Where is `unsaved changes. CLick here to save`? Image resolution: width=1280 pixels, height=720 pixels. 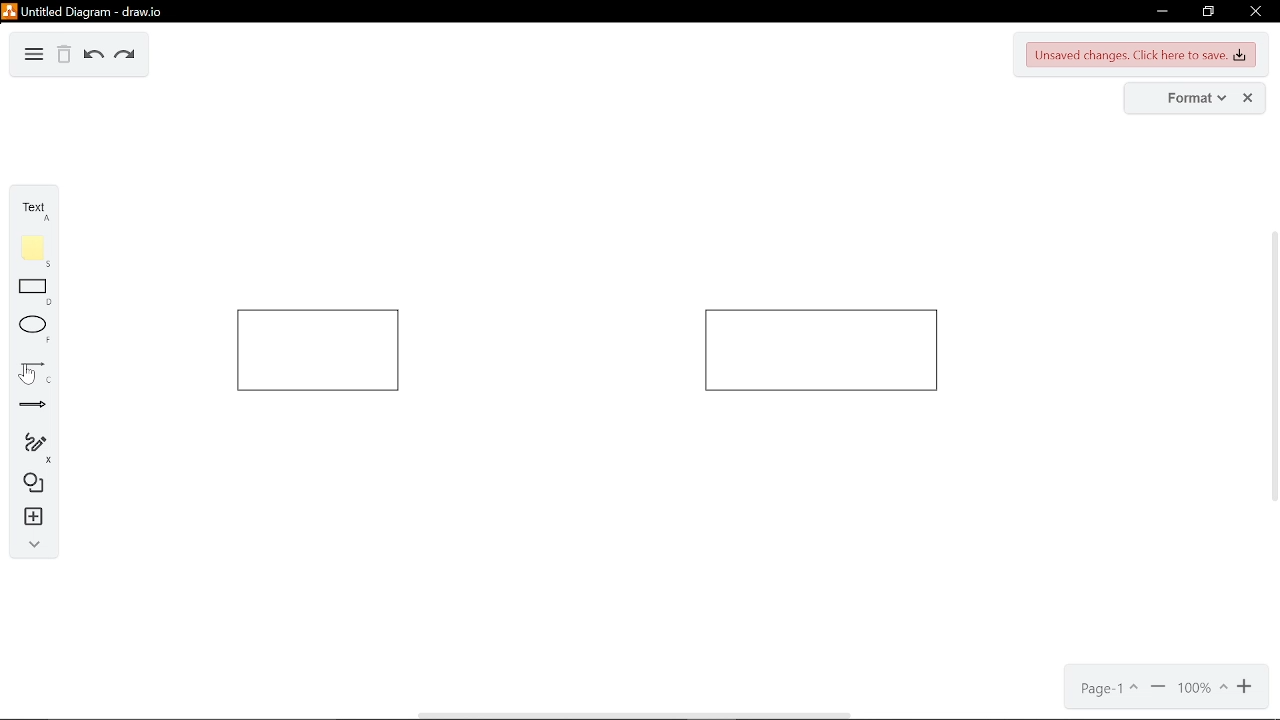
unsaved changes. CLick here to save is located at coordinates (1138, 55).